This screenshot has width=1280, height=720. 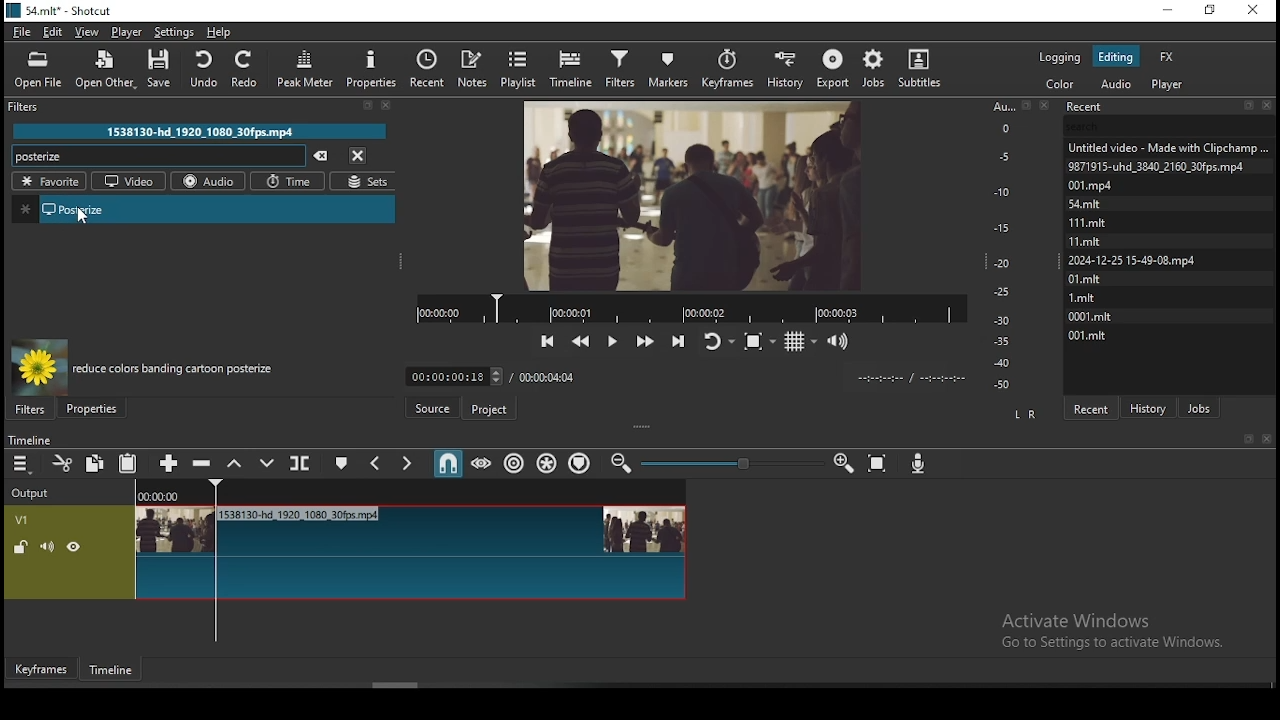 I want to click on paste, so click(x=130, y=464).